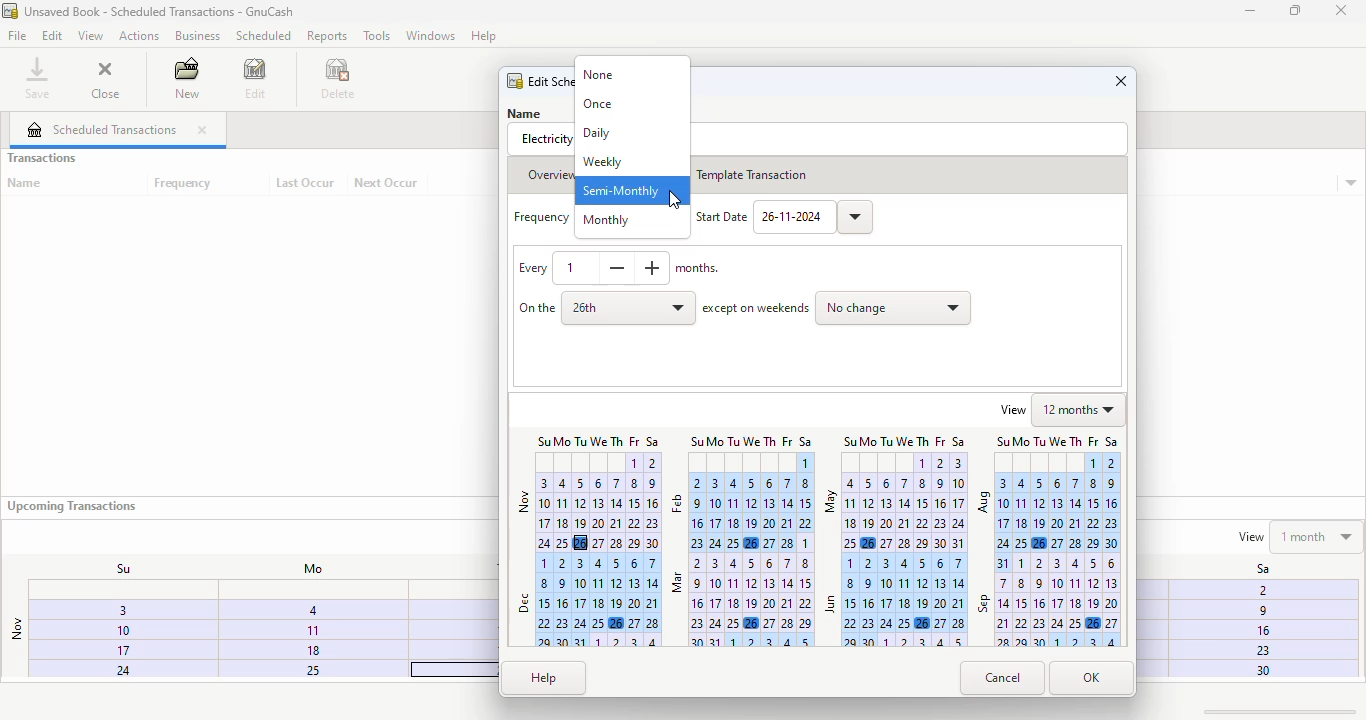 This screenshot has width=1366, height=720. What do you see at coordinates (535, 218) in the screenshot?
I see `Frequency` at bounding box center [535, 218].